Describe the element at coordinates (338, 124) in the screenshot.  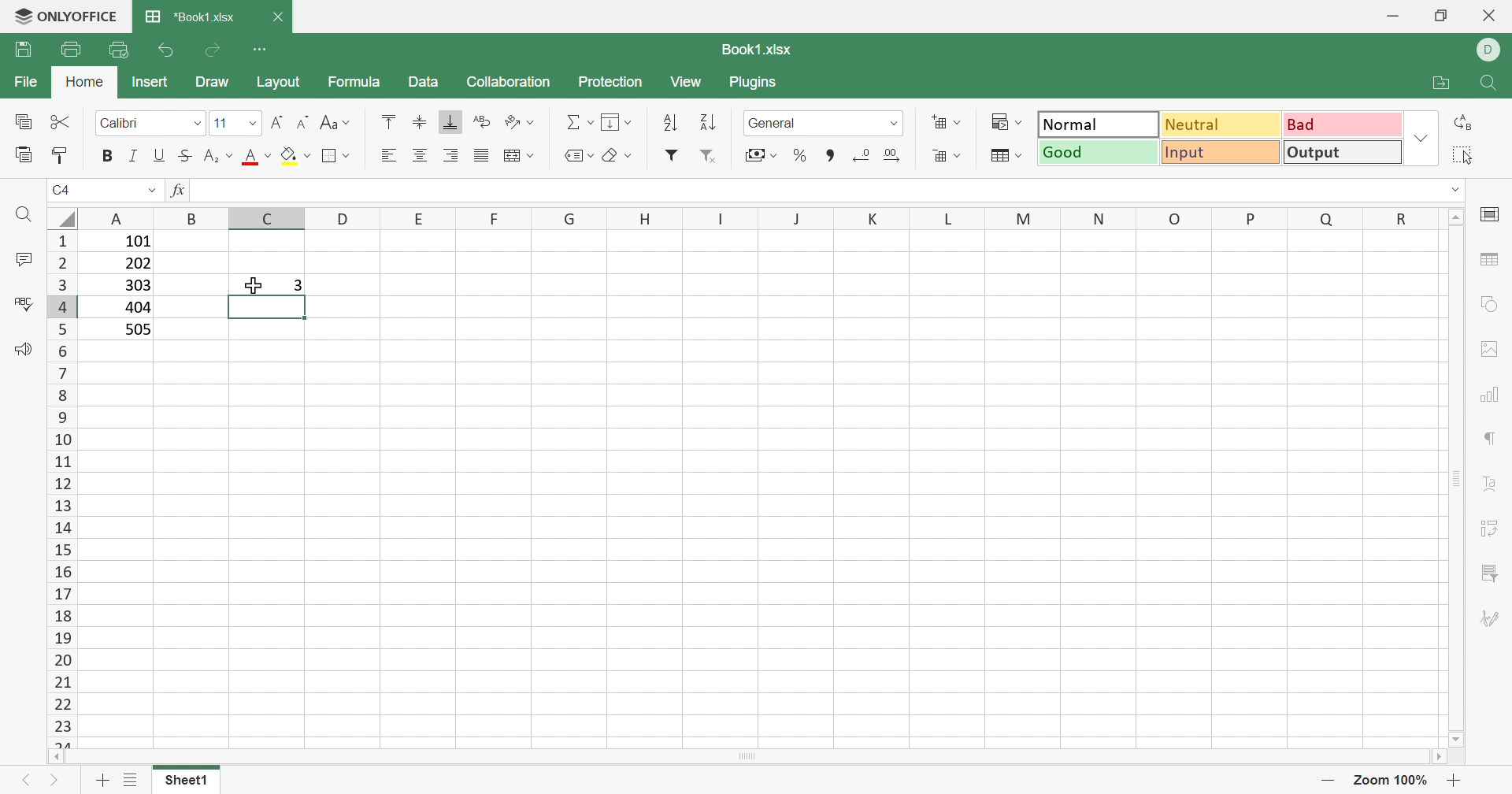
I see `Change case` at that location.